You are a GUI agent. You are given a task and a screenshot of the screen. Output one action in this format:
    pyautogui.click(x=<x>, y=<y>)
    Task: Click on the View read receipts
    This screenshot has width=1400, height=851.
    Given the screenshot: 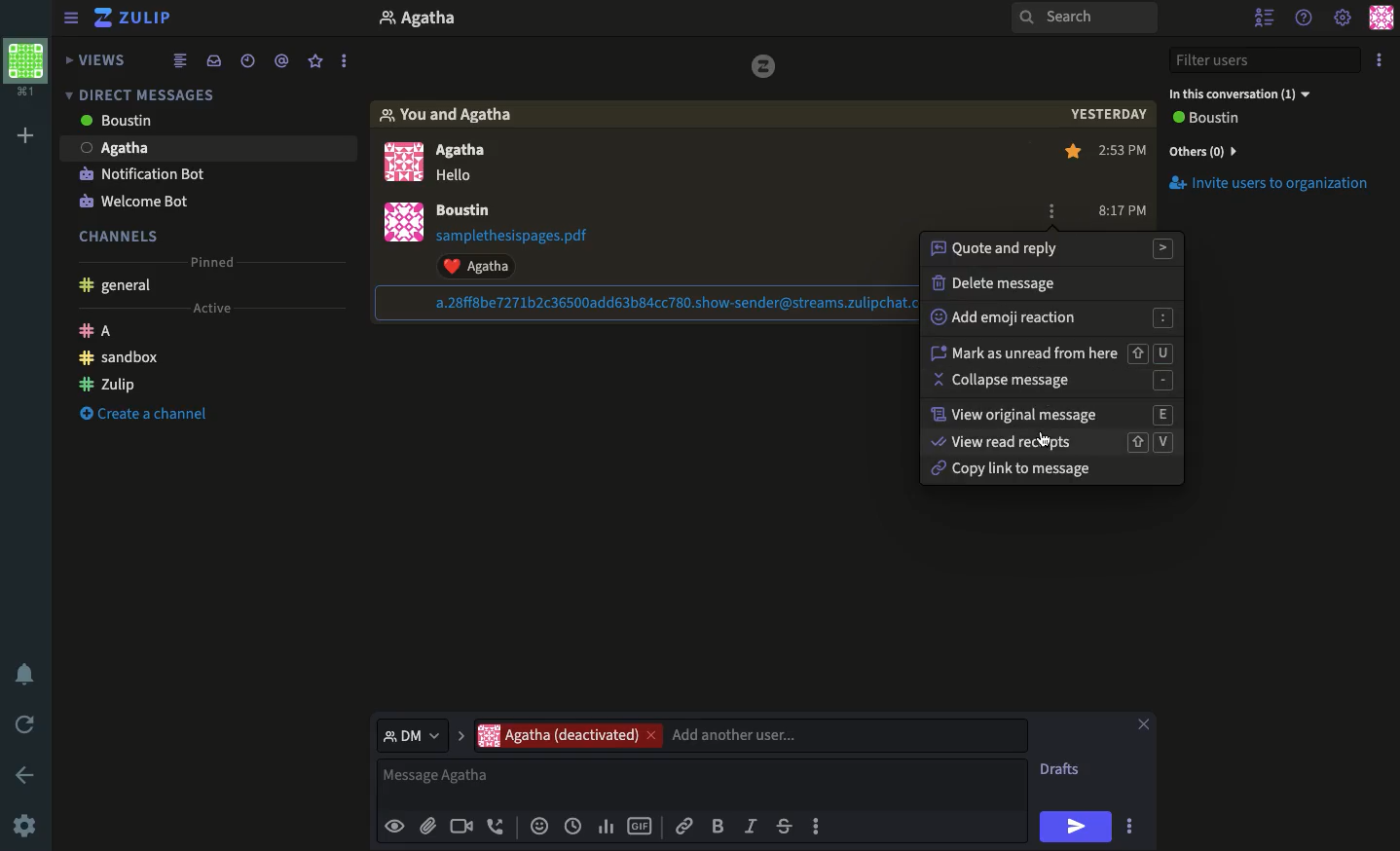 What is the action you would take?
    pyautogui.click(x=1051, y=440)
    